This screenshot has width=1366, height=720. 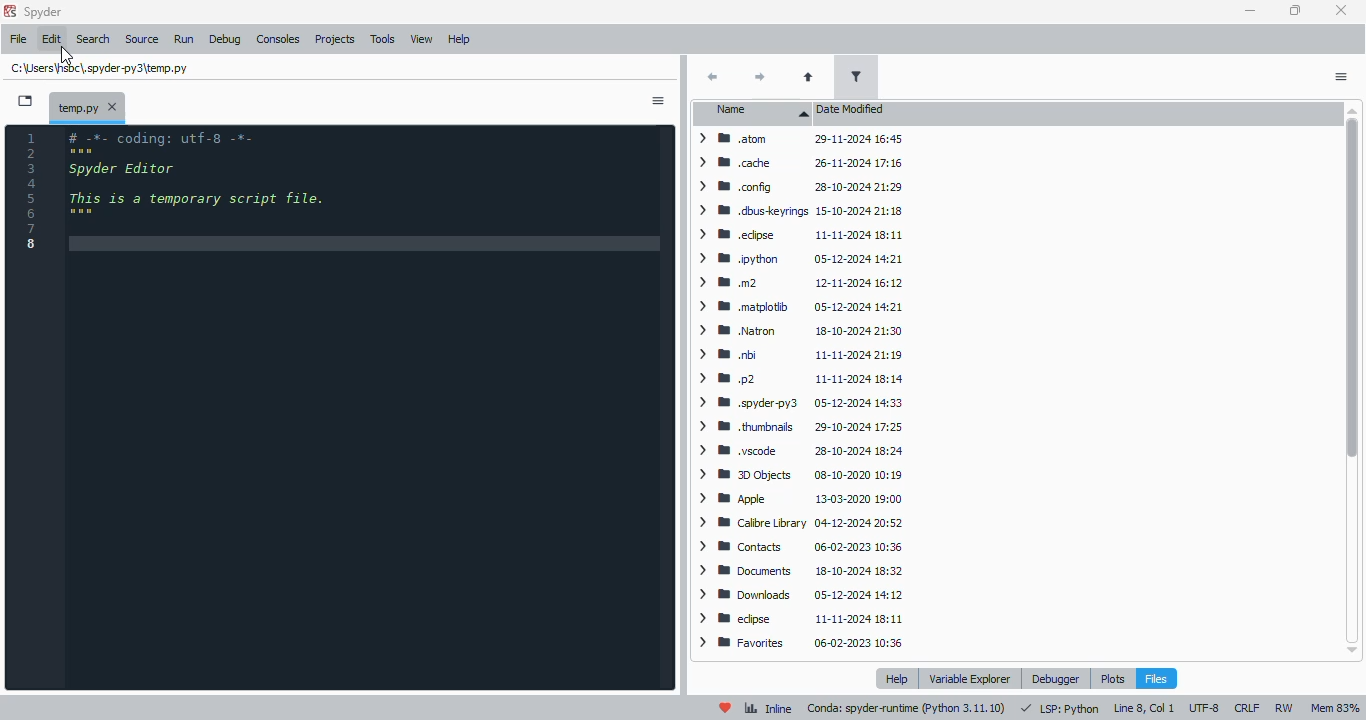 I want to click on edit, so click(x=53, y=39).